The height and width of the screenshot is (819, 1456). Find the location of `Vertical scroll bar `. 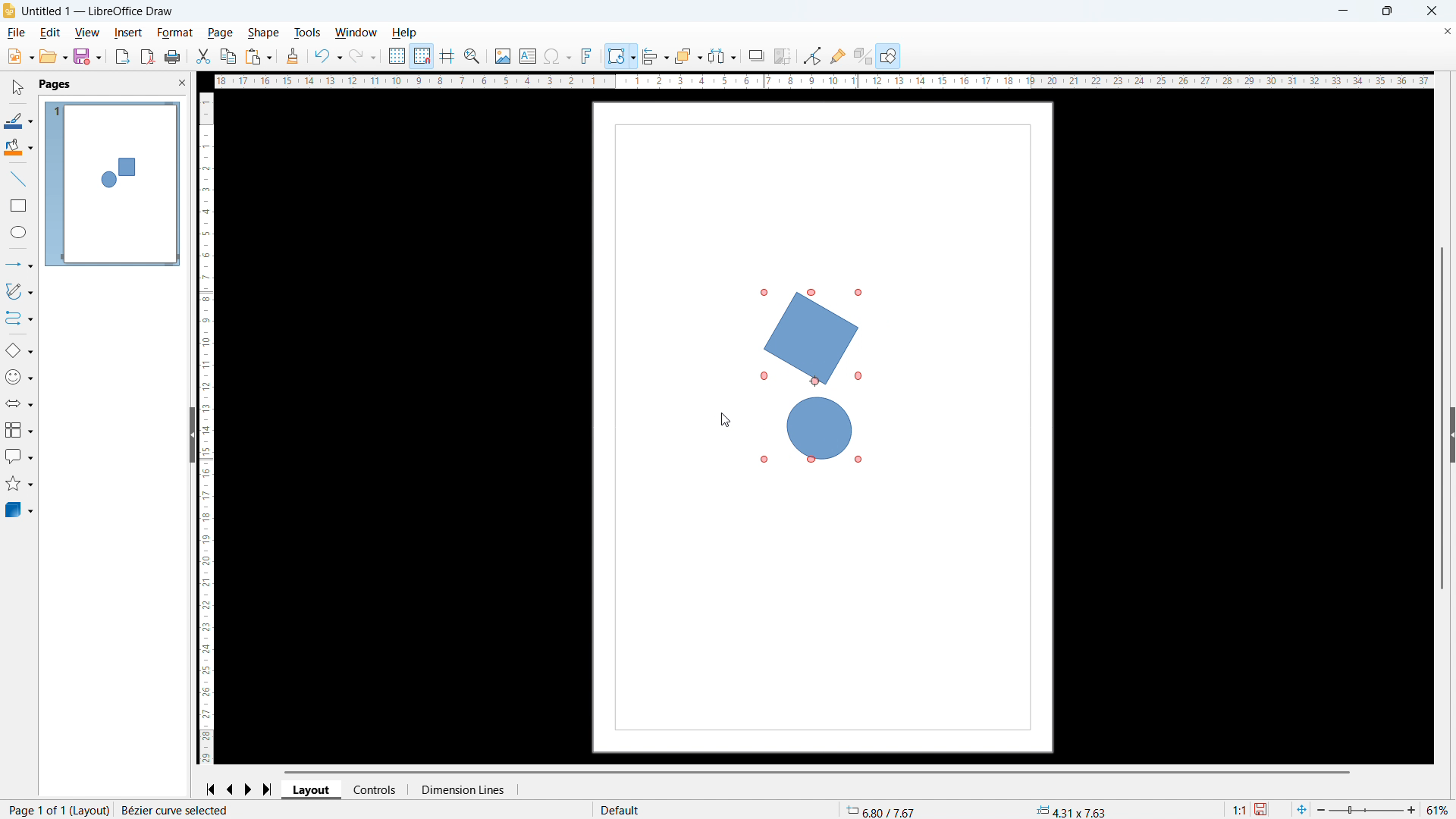

Vertical scroll bar  is located at coordinates (1442, 317).